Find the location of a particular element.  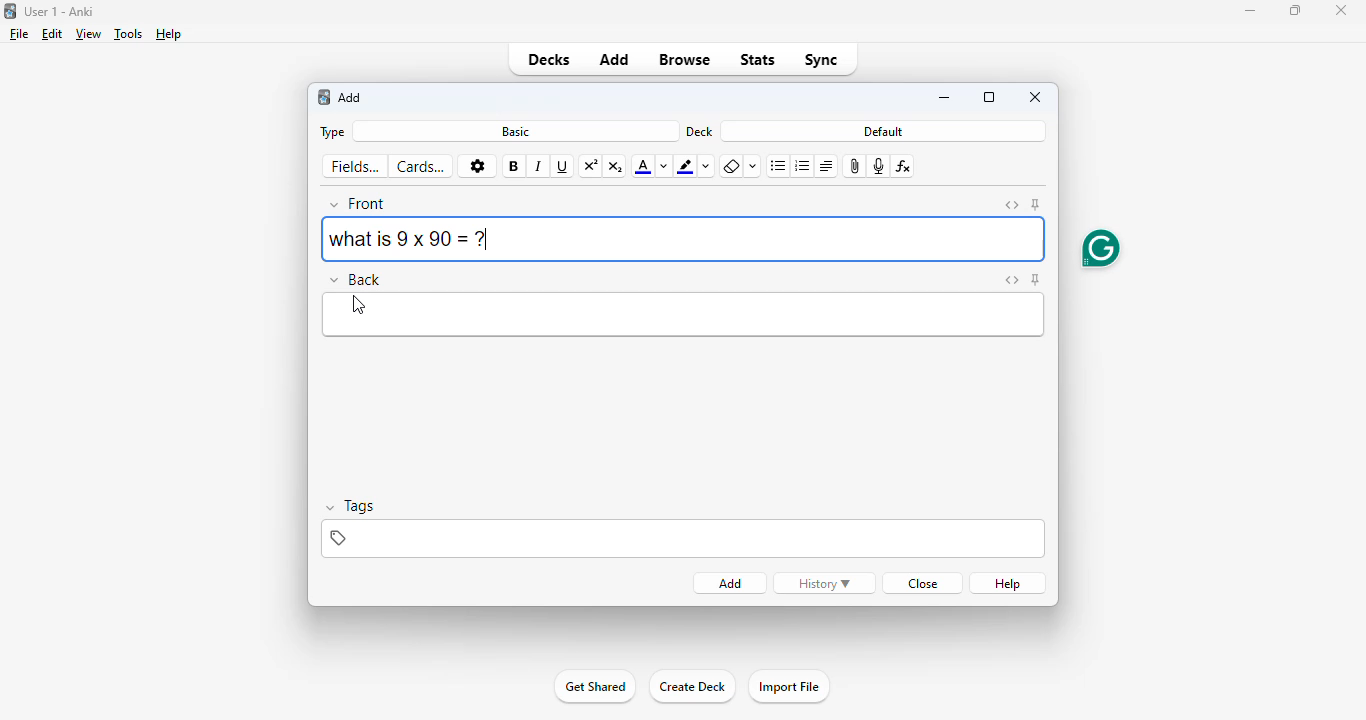

record audio is located at coordinates (879, 166).